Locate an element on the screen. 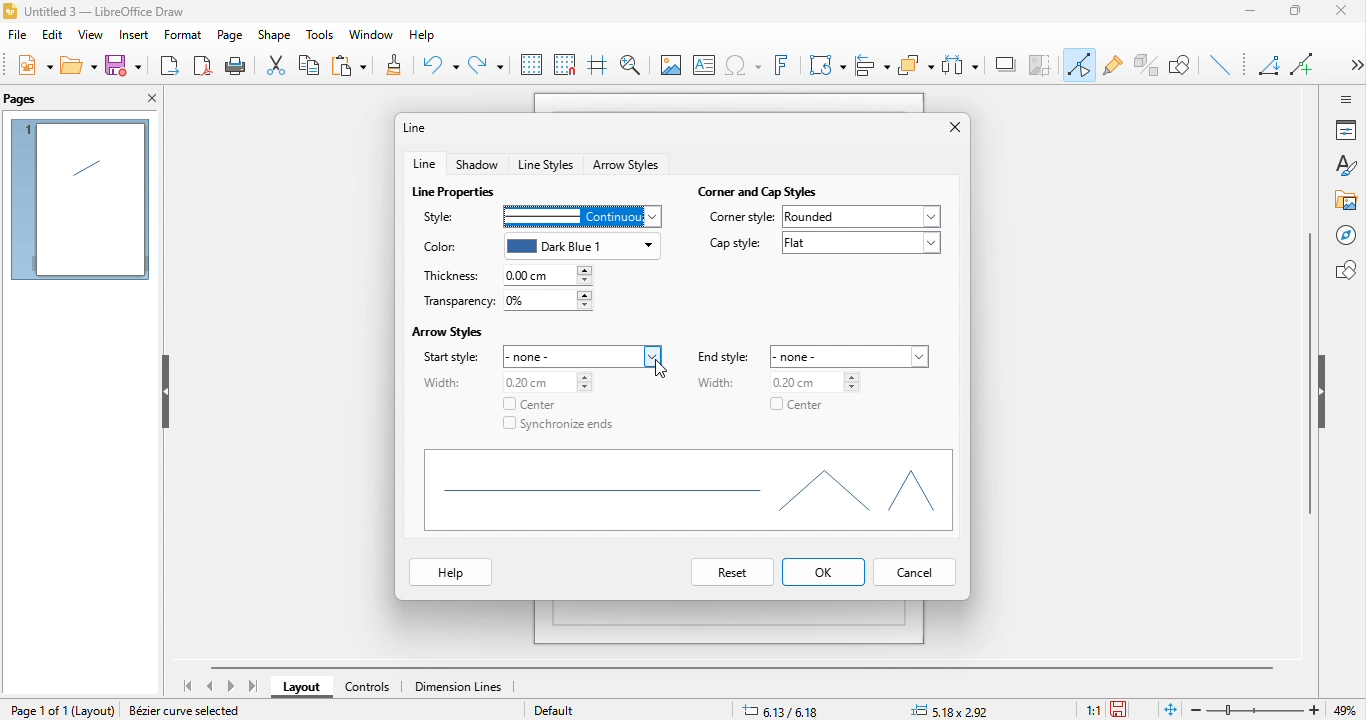 The width and height of the screenshot is (1366, 720). none is located at coordinates (584, 354).